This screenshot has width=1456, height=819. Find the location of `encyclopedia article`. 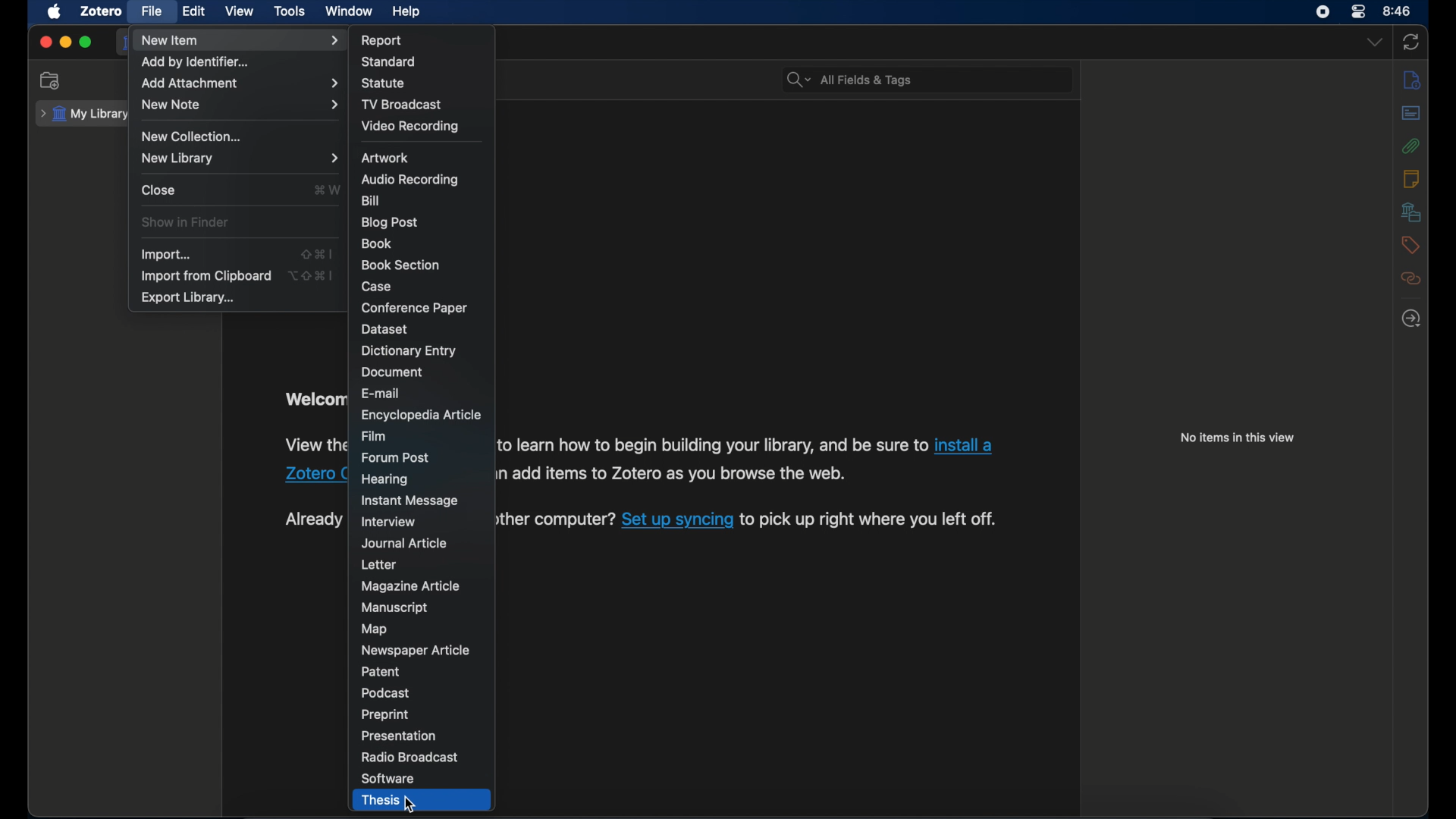

encyclopedia article is located at coordinates (420, 415).